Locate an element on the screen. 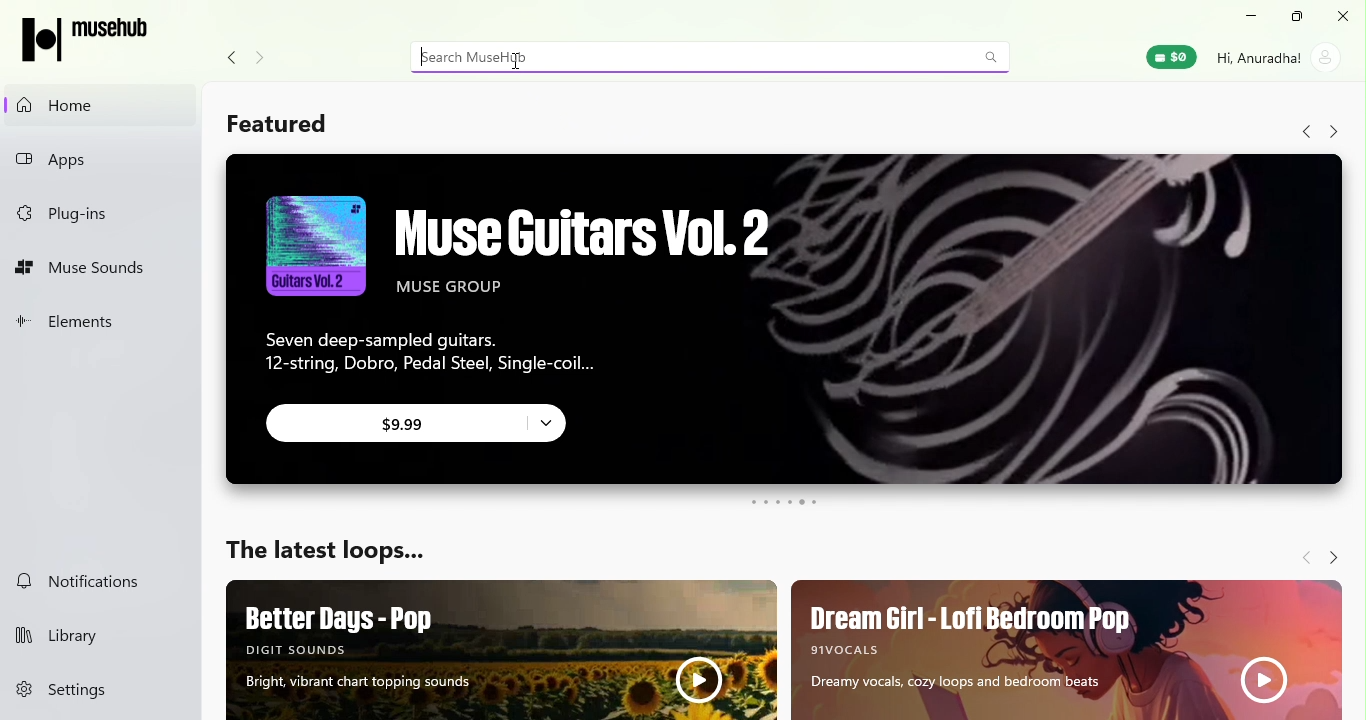 This screenshot has height=720, width=1366. Search bar is located at coordinates (715, 57).